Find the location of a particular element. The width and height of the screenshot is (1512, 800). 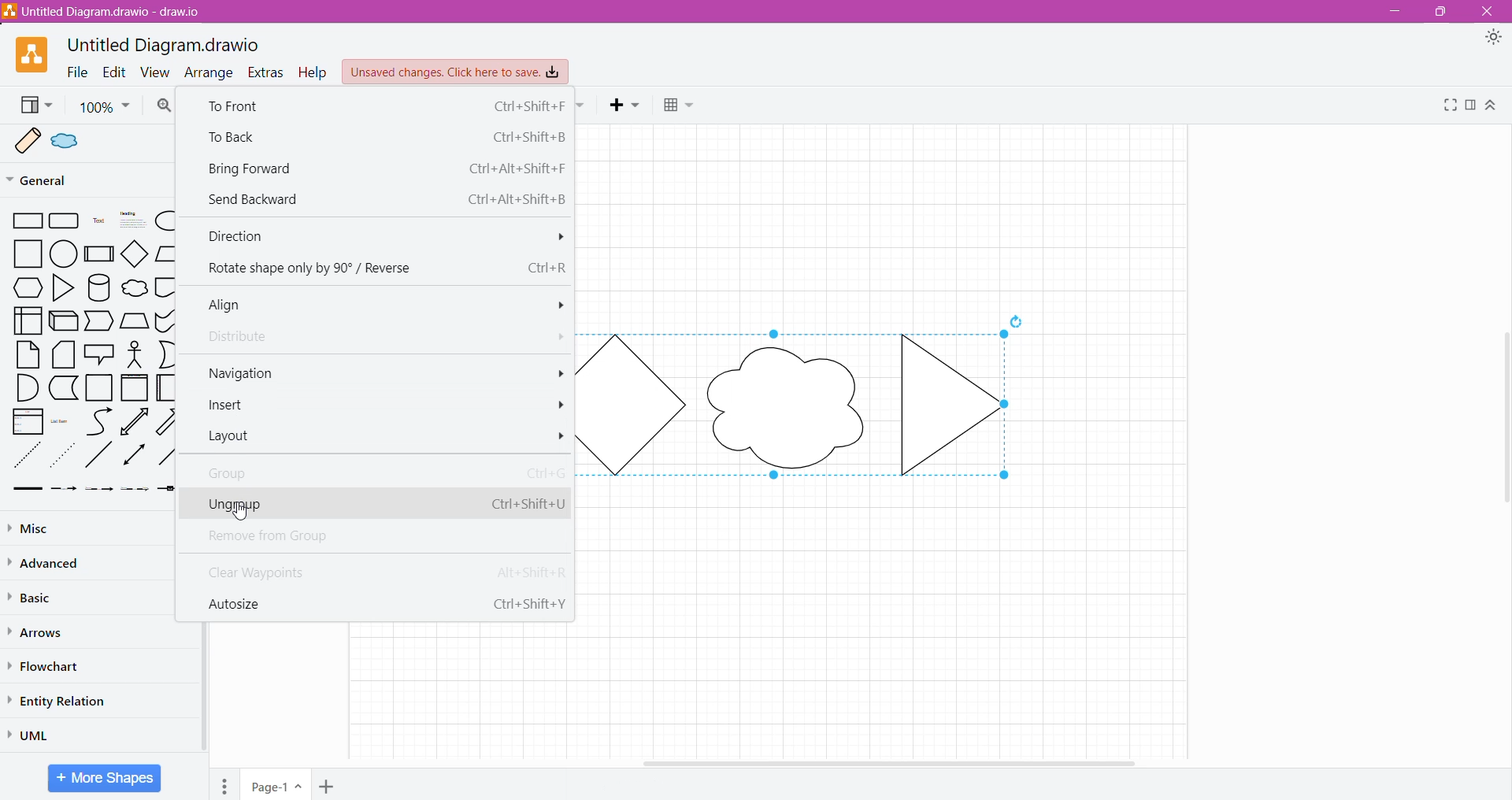

Navigation is located at coordinates (385, 373).